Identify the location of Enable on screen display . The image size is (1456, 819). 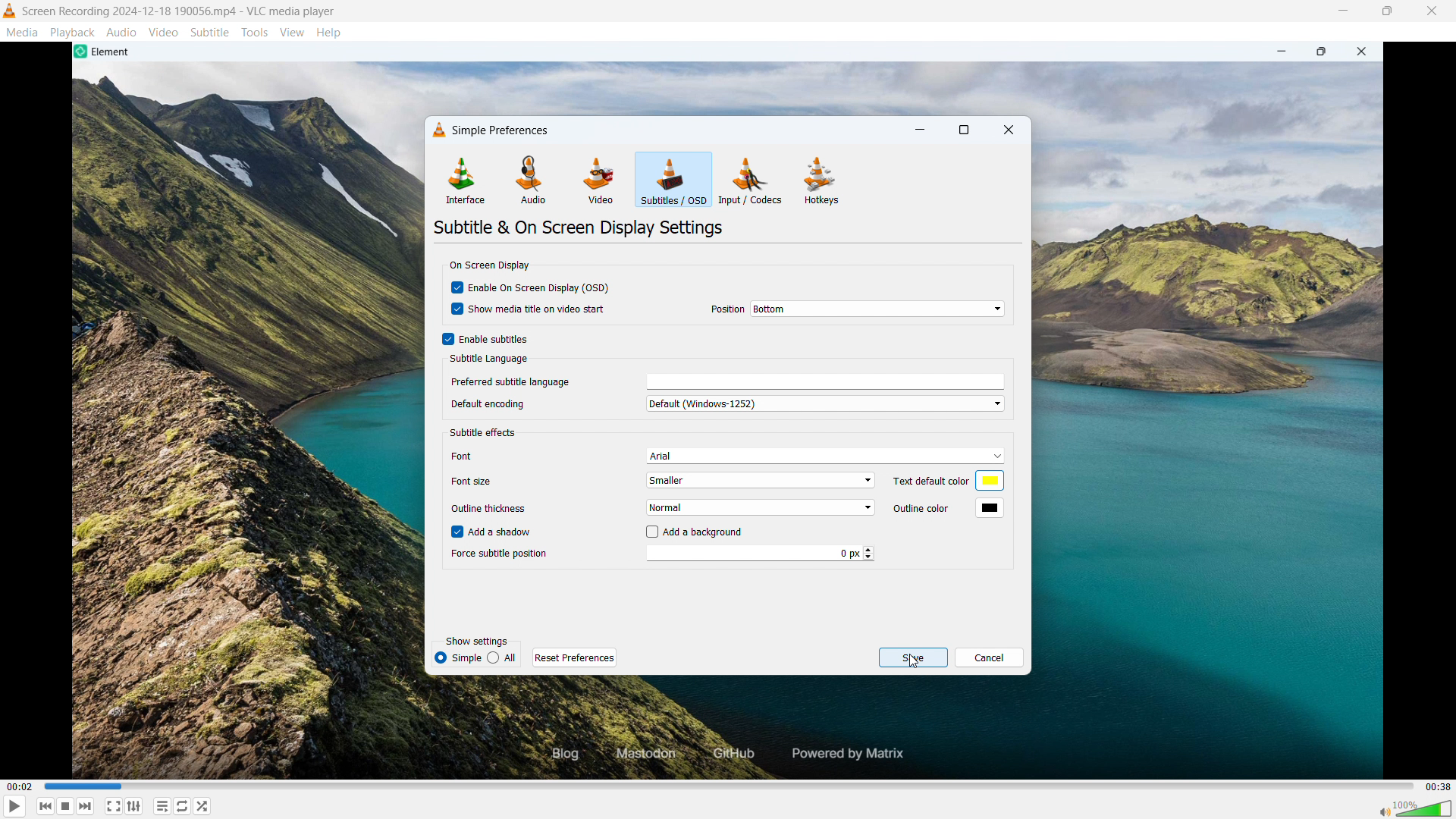
(542, 289).